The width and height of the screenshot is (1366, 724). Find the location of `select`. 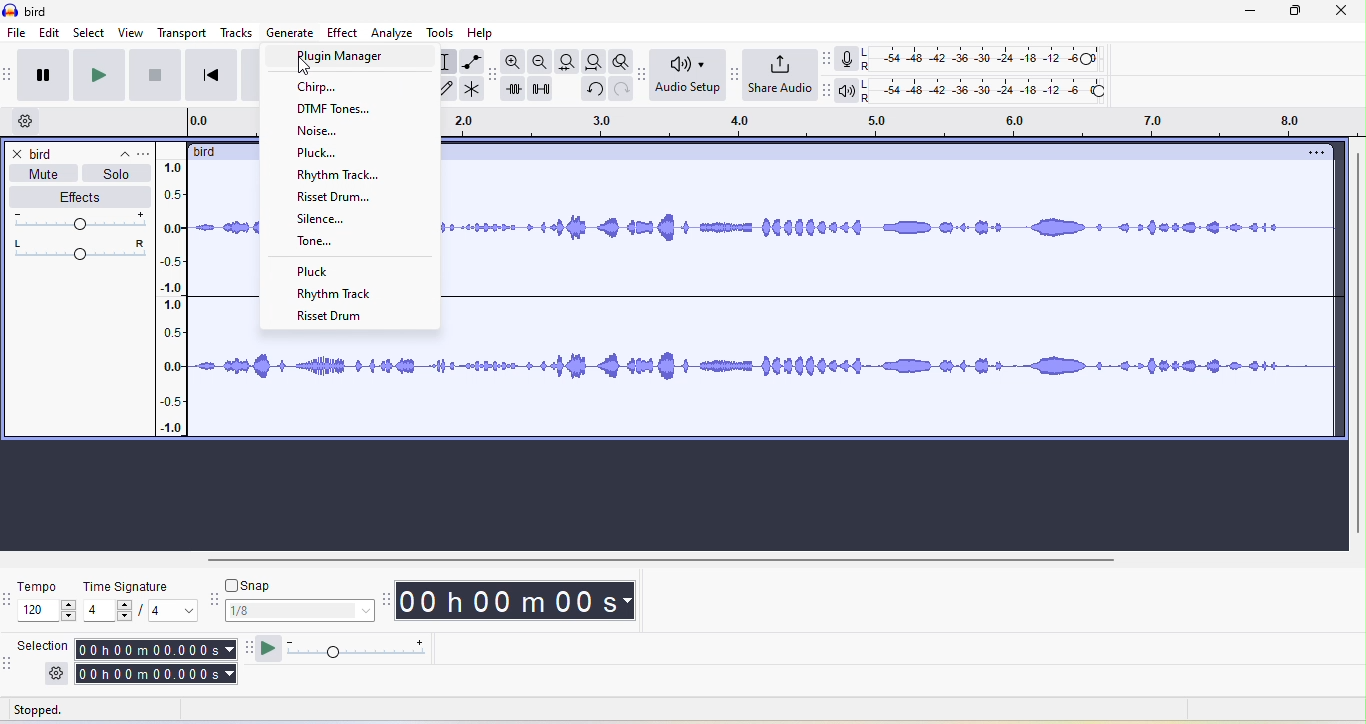

select is located at coordinates (92, 35).